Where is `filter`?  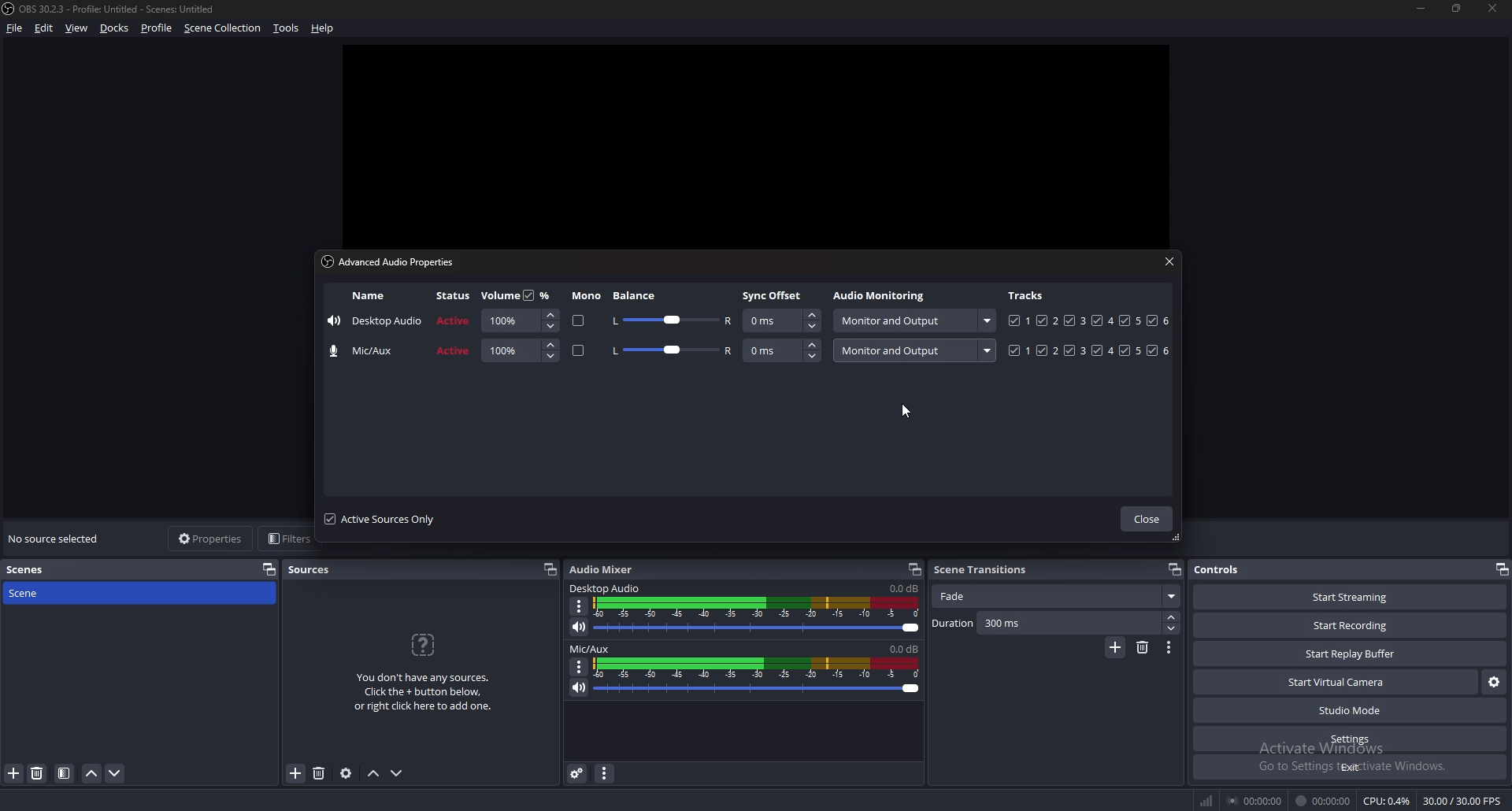 filter is located at coordinates (65, 773).